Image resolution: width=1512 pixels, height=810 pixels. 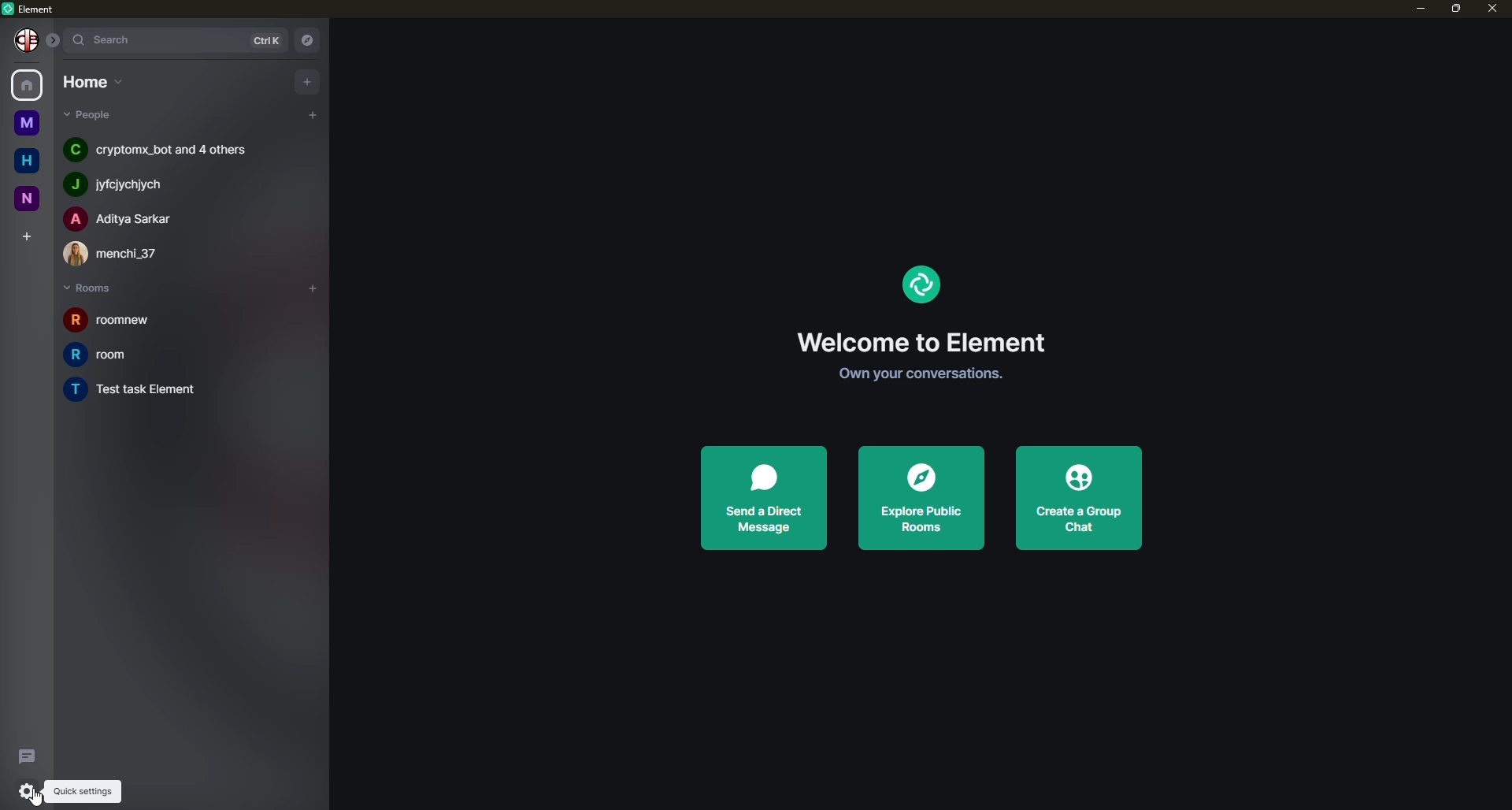 What do you see at coordinates (82, 790) in the screenshot?
I see `quick settings` at bounding box center [82, 790].